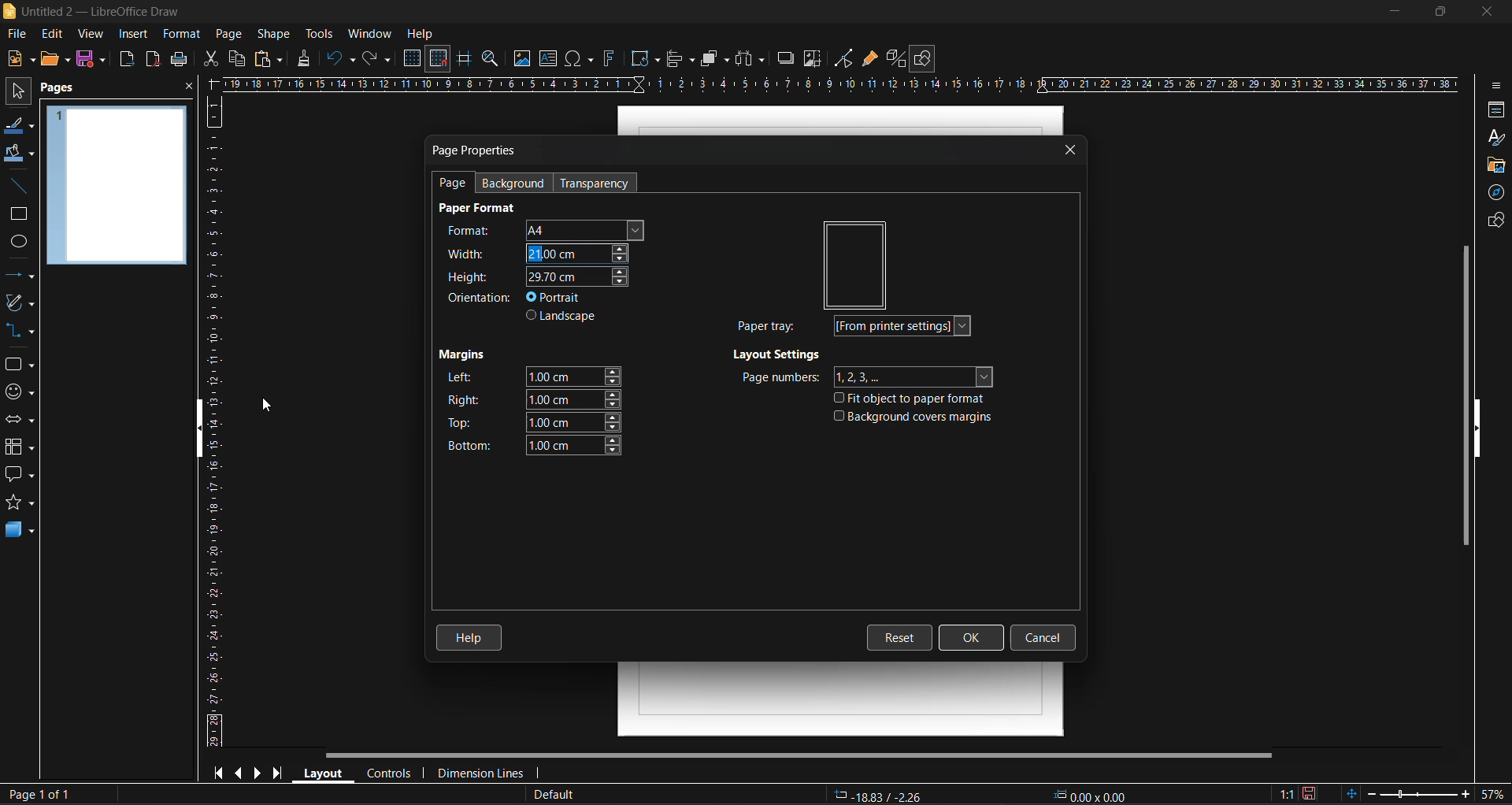 This screenshot has height=805, width=1512. I want to click on shapes, so click(1494, 222).